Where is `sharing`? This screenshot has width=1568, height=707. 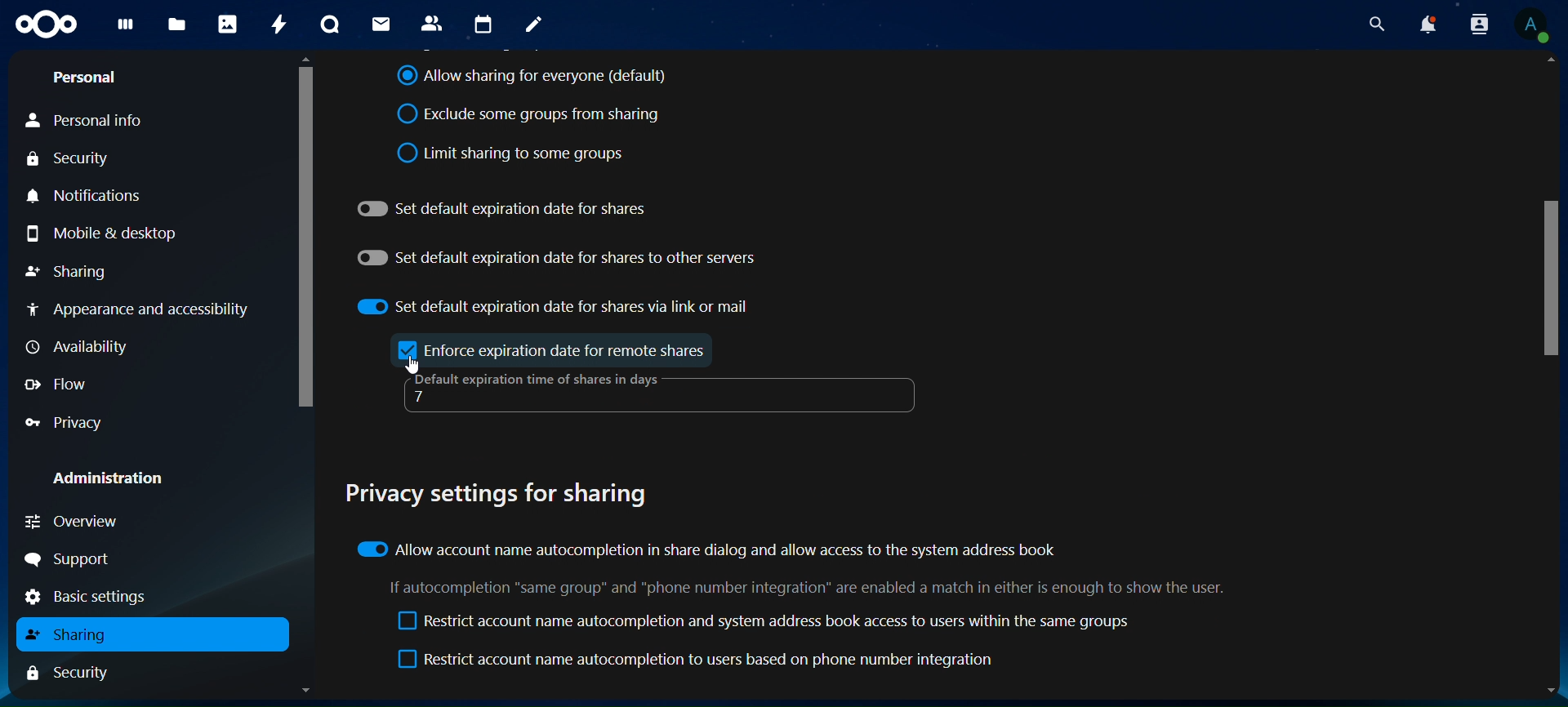
sharing is located at coordinates (69, 269).